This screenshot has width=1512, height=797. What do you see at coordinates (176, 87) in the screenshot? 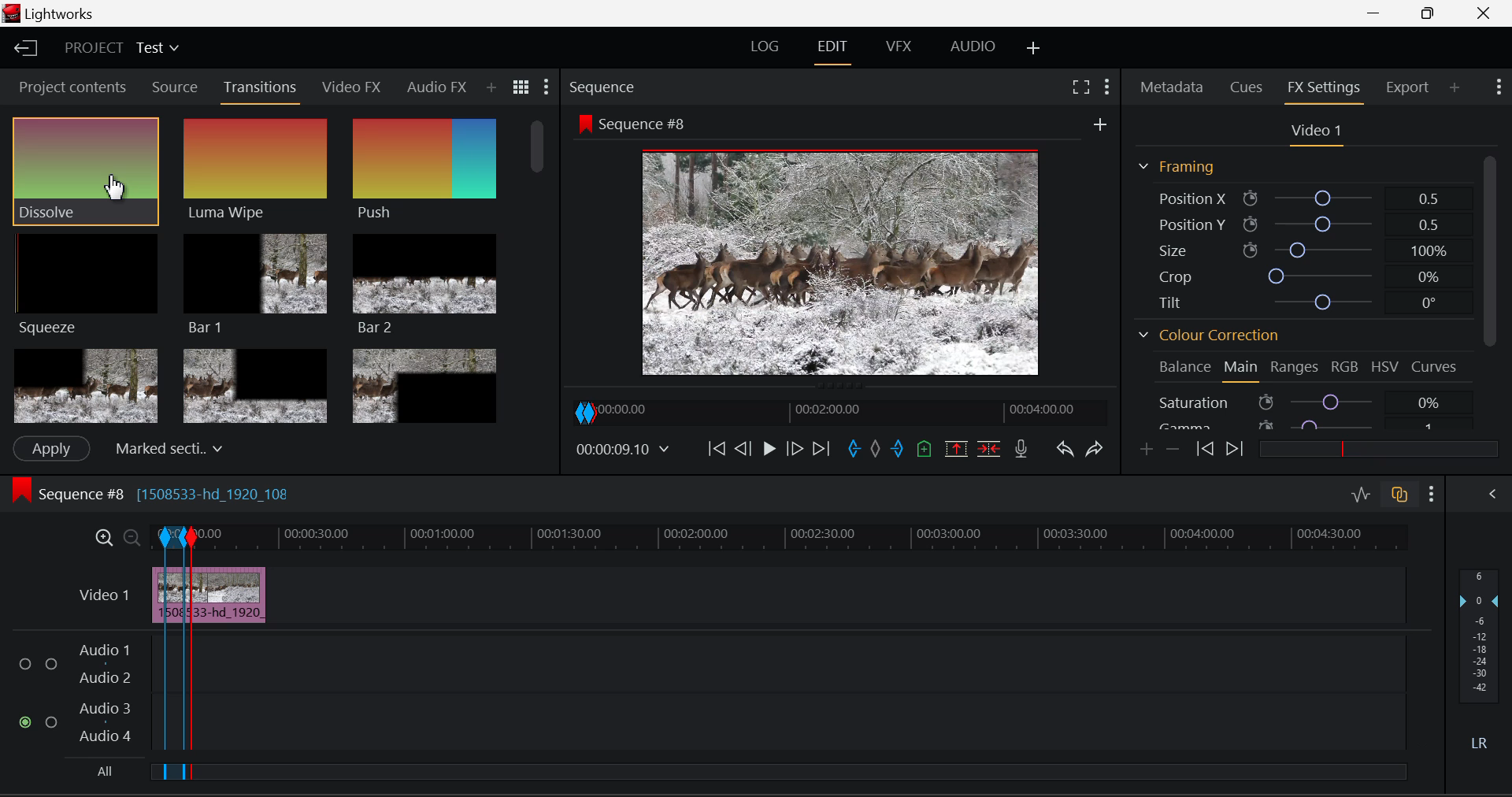
I see `Source` at bounding box center [176, 87].